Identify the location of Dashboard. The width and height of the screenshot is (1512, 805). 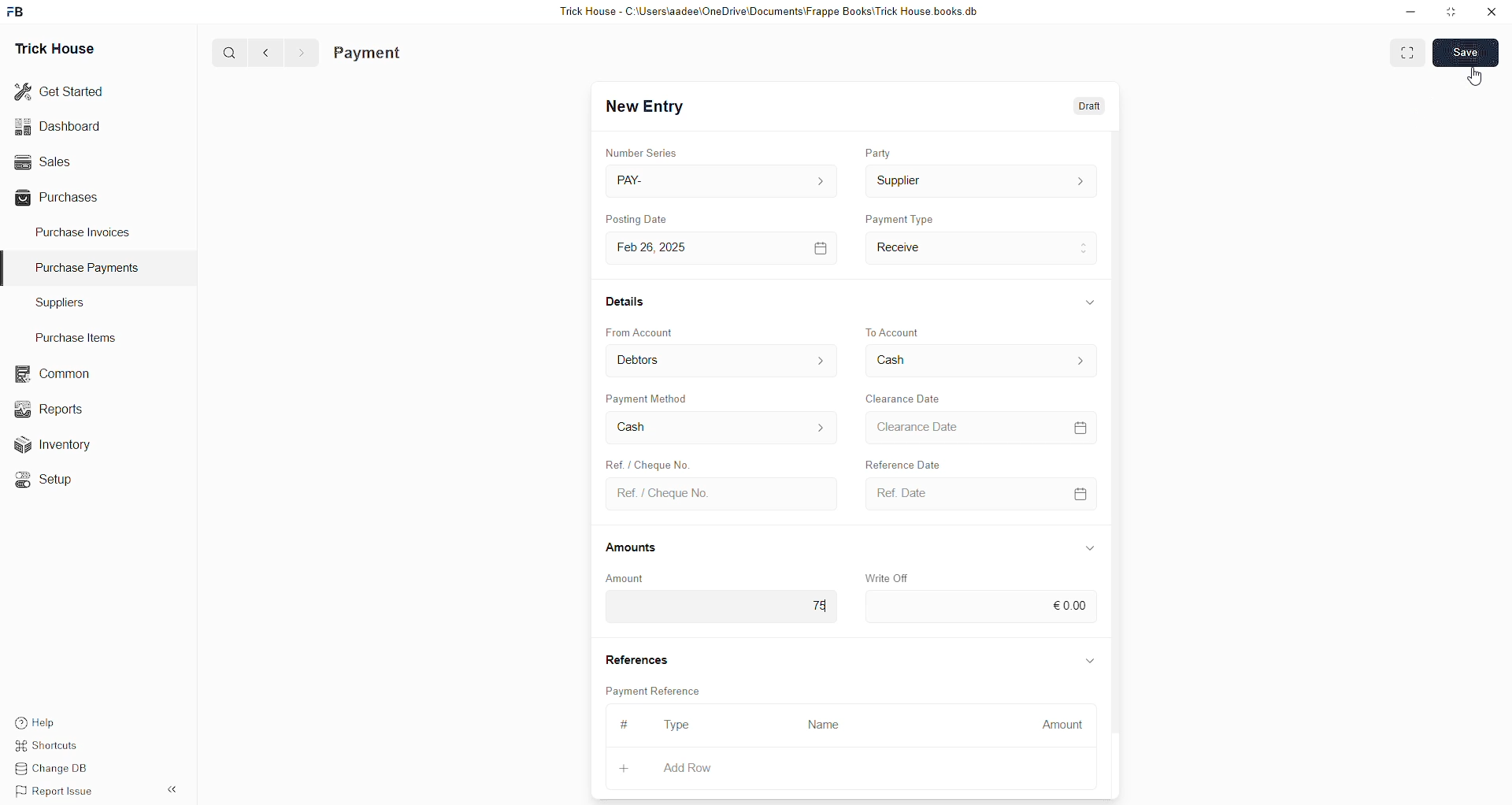
(61, 126).